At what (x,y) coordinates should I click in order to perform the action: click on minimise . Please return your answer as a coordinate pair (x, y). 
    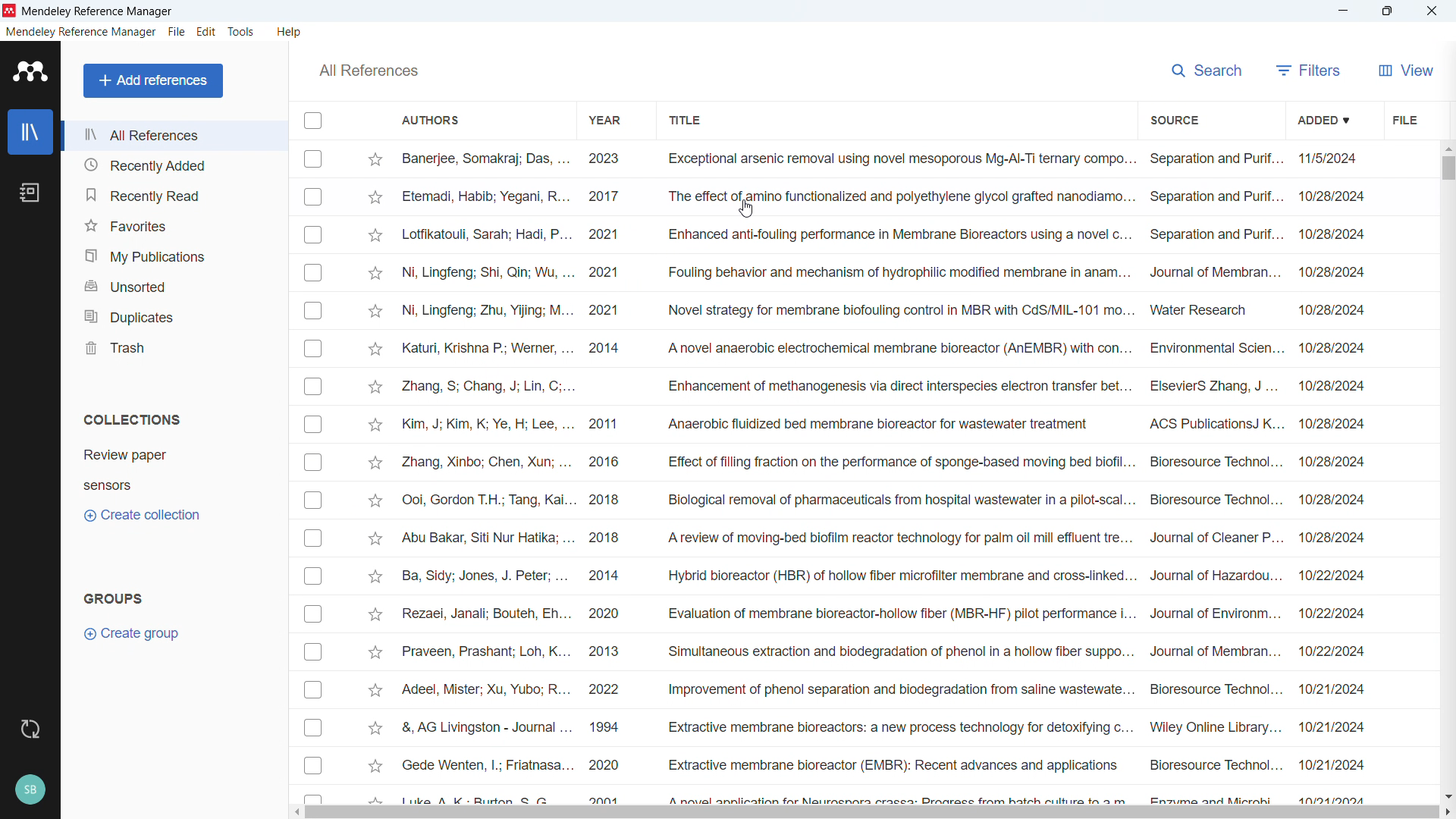
    Looking at the image, I should click on (1341, 11).